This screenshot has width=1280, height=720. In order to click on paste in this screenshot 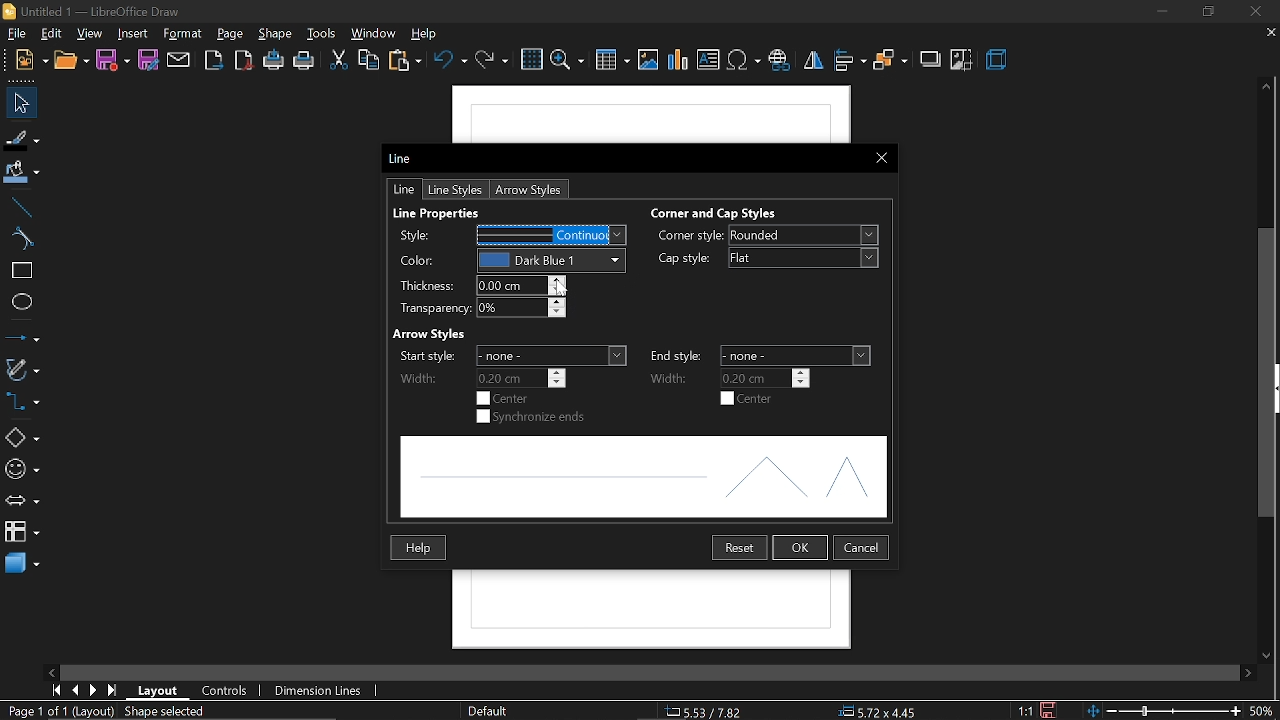, I will do `click(405, 62)`.